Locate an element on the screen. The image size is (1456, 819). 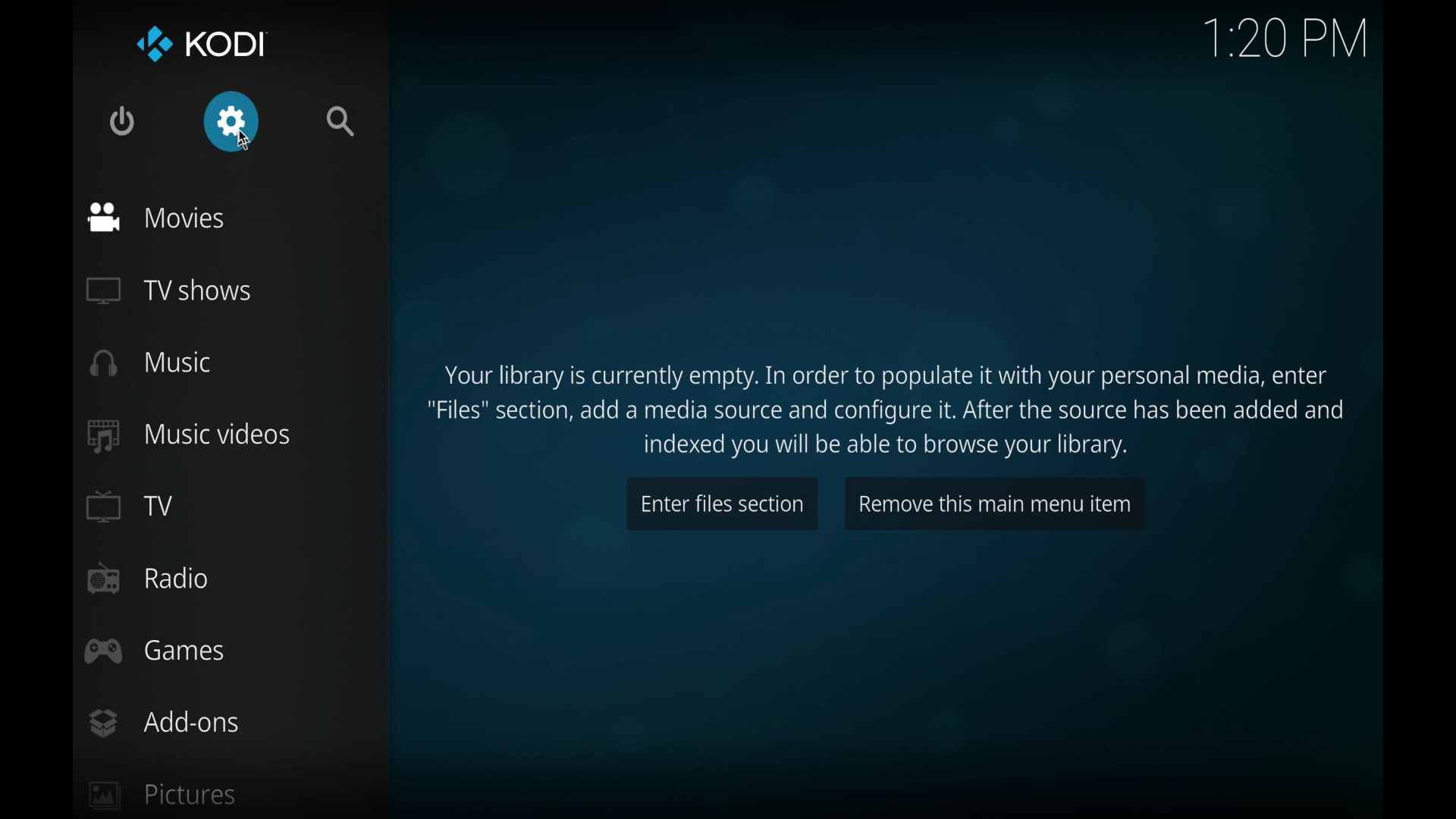
remove this main menu item is located at coordinates (993, 505).